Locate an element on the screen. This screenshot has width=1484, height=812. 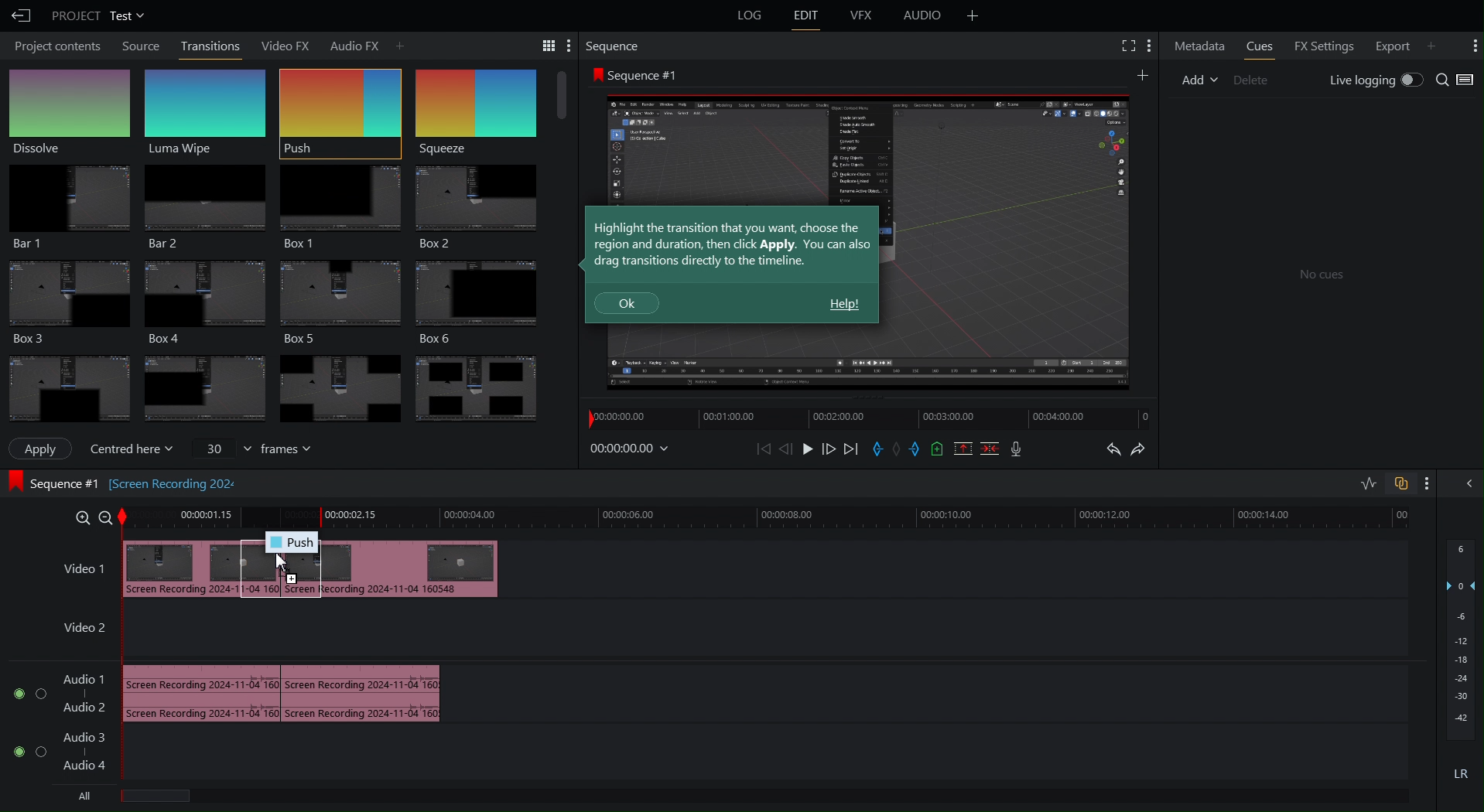
frames is located at coordinates (293, 449).